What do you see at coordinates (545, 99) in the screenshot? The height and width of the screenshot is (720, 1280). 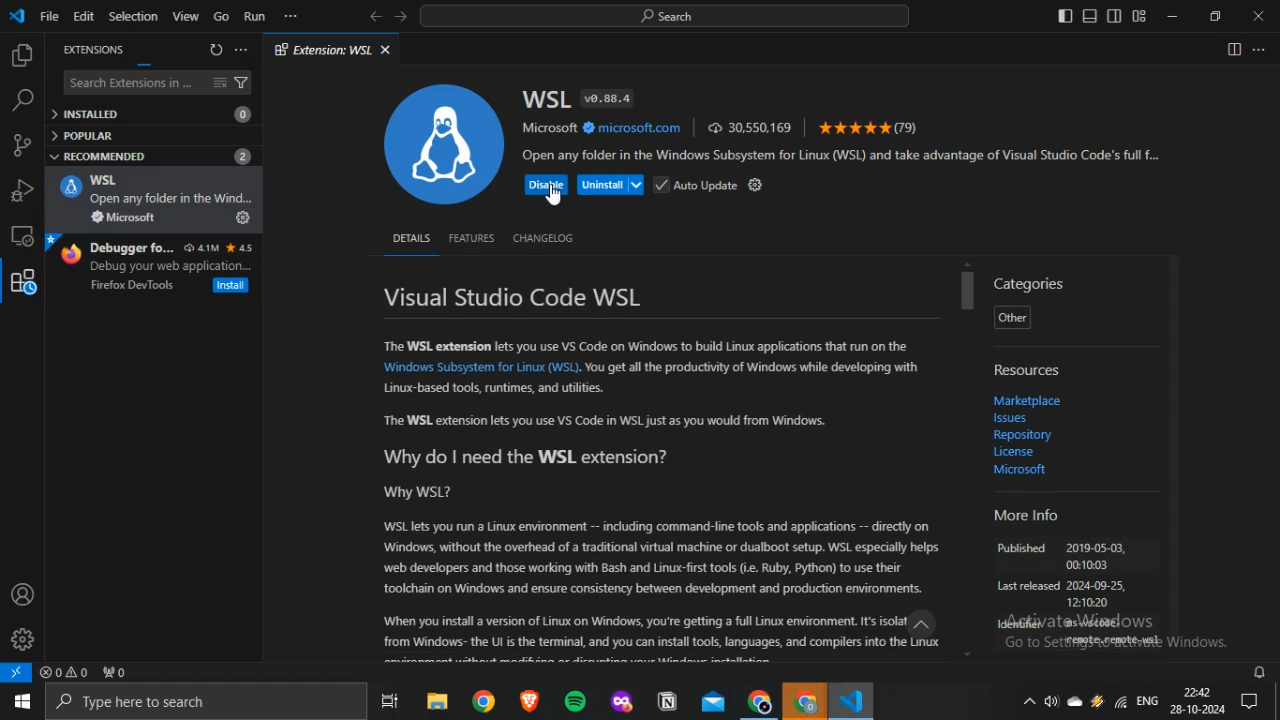 I see `WSL` at bounding box center [545, 99].